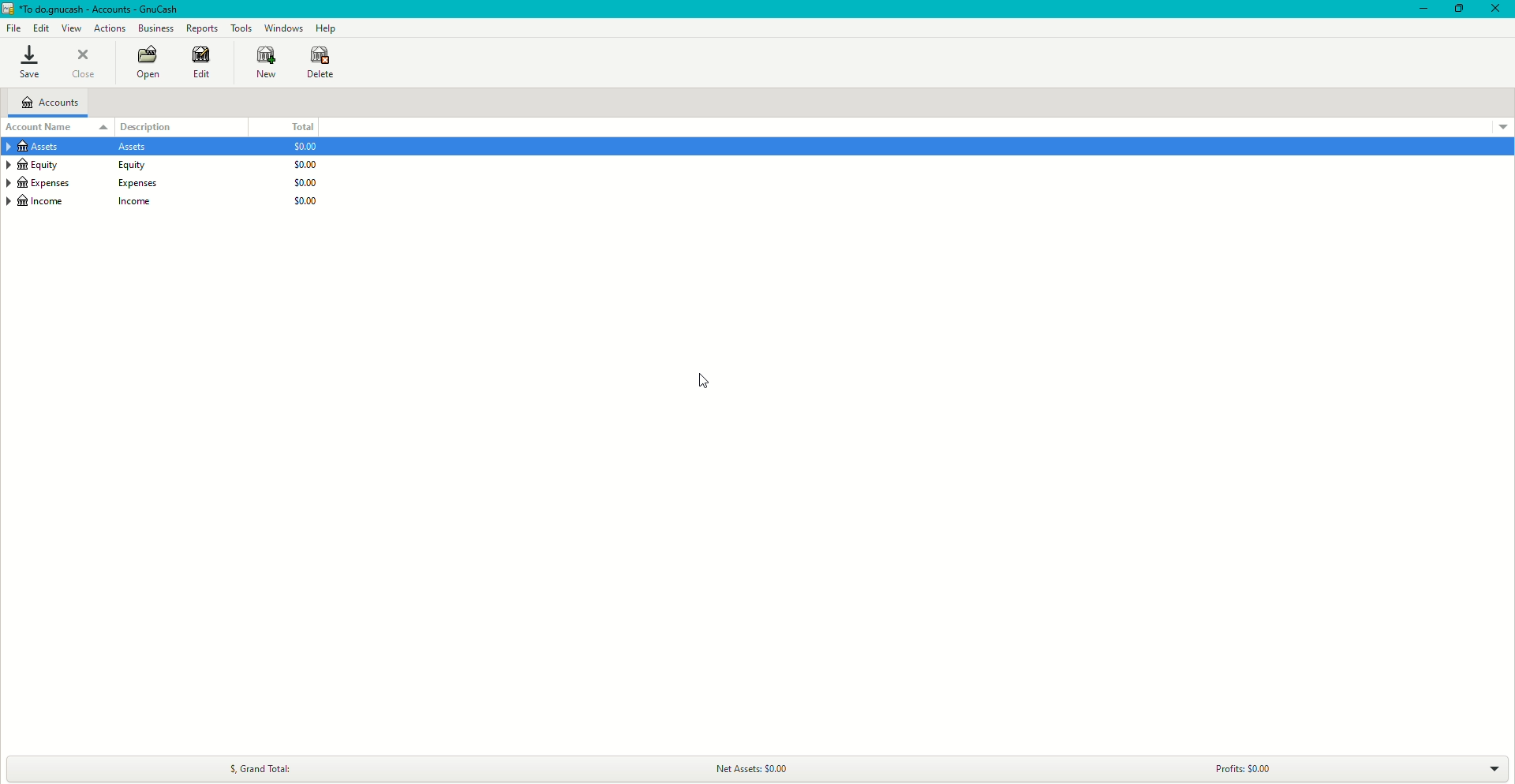  I want to click on New, so click(258, 62).